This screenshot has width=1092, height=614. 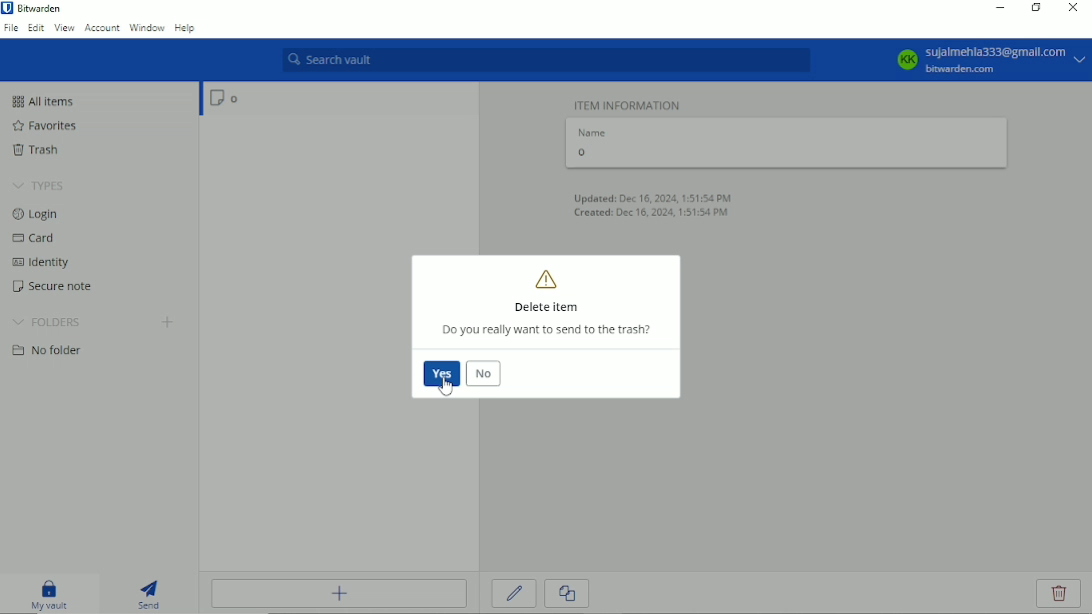 I want to click on o, so click(x=216, y=98).